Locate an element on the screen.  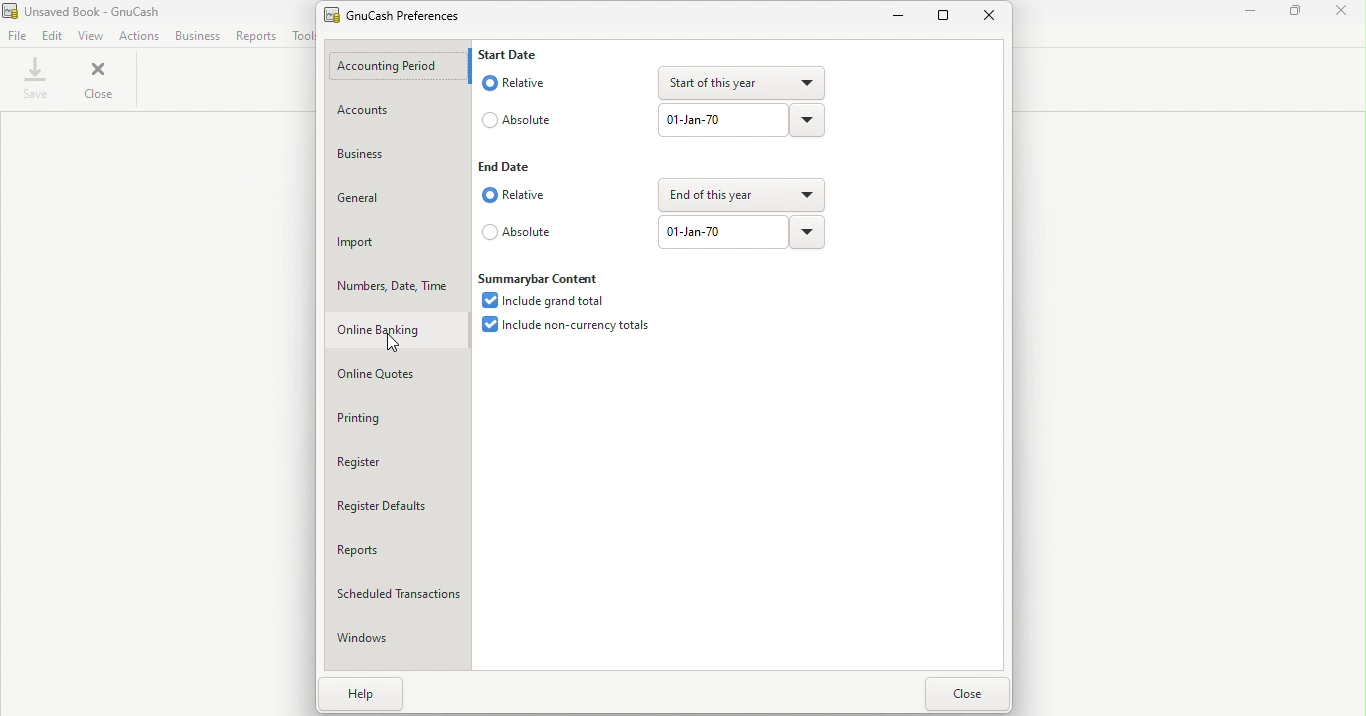
Import is located at coordinates (397, 243).